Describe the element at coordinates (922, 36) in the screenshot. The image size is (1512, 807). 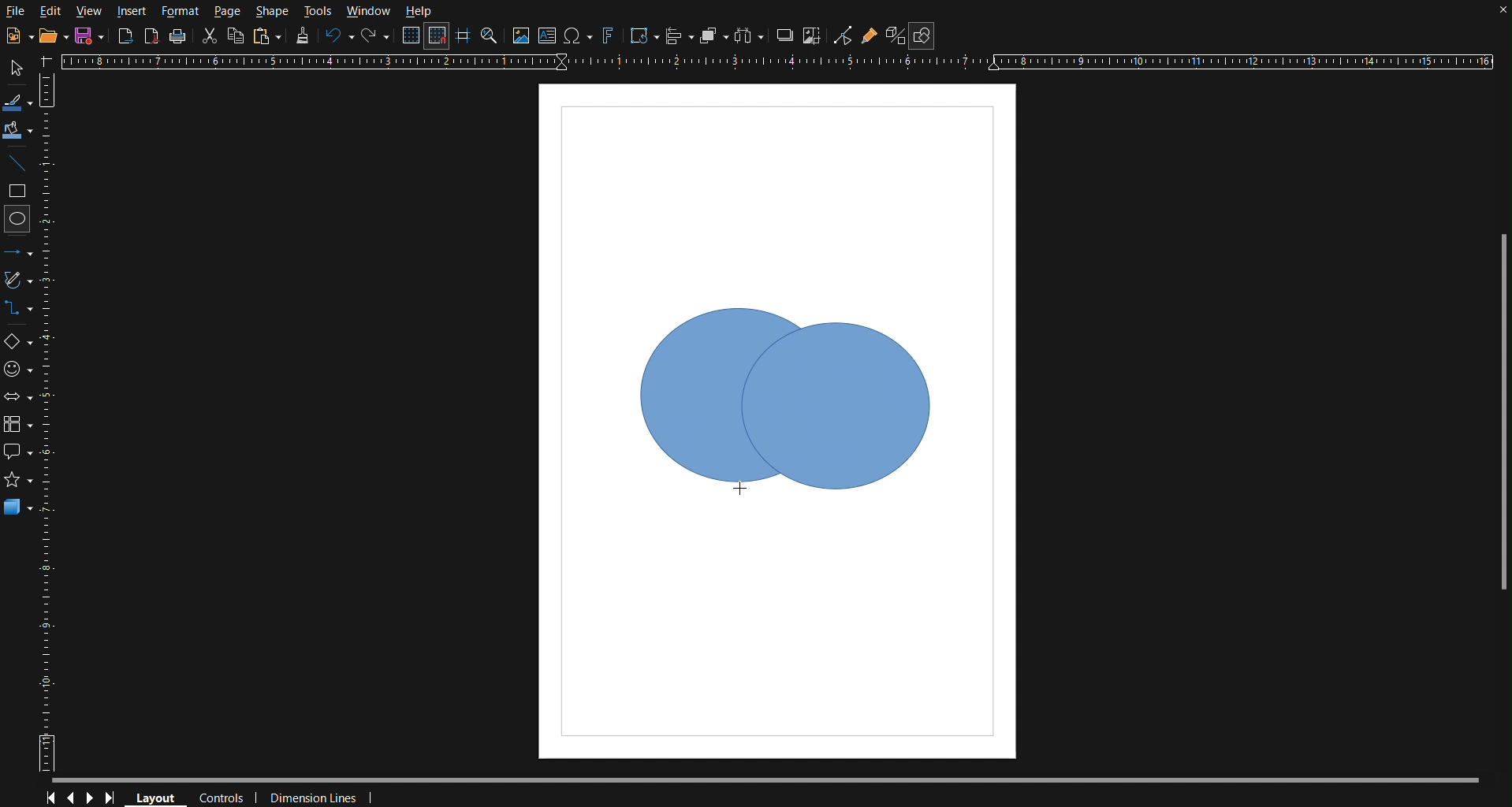
I see `Show Draw Functions` at that location.